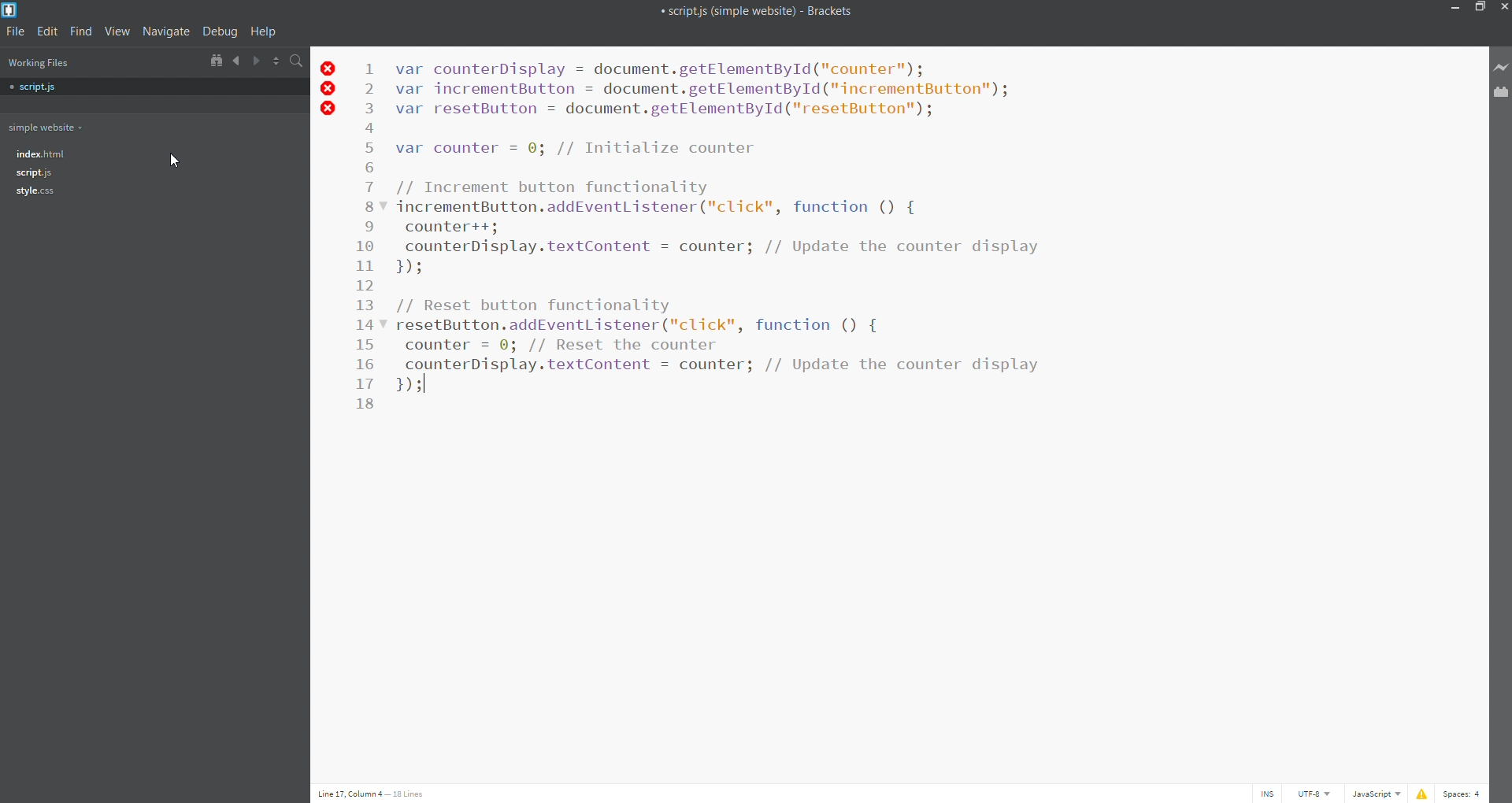 This screenshot has width=1512, height=803. What do you see at coordinates (1267, 794) in the screenshot?
I see `cursor toggle` at bounding box center [1267, 794].